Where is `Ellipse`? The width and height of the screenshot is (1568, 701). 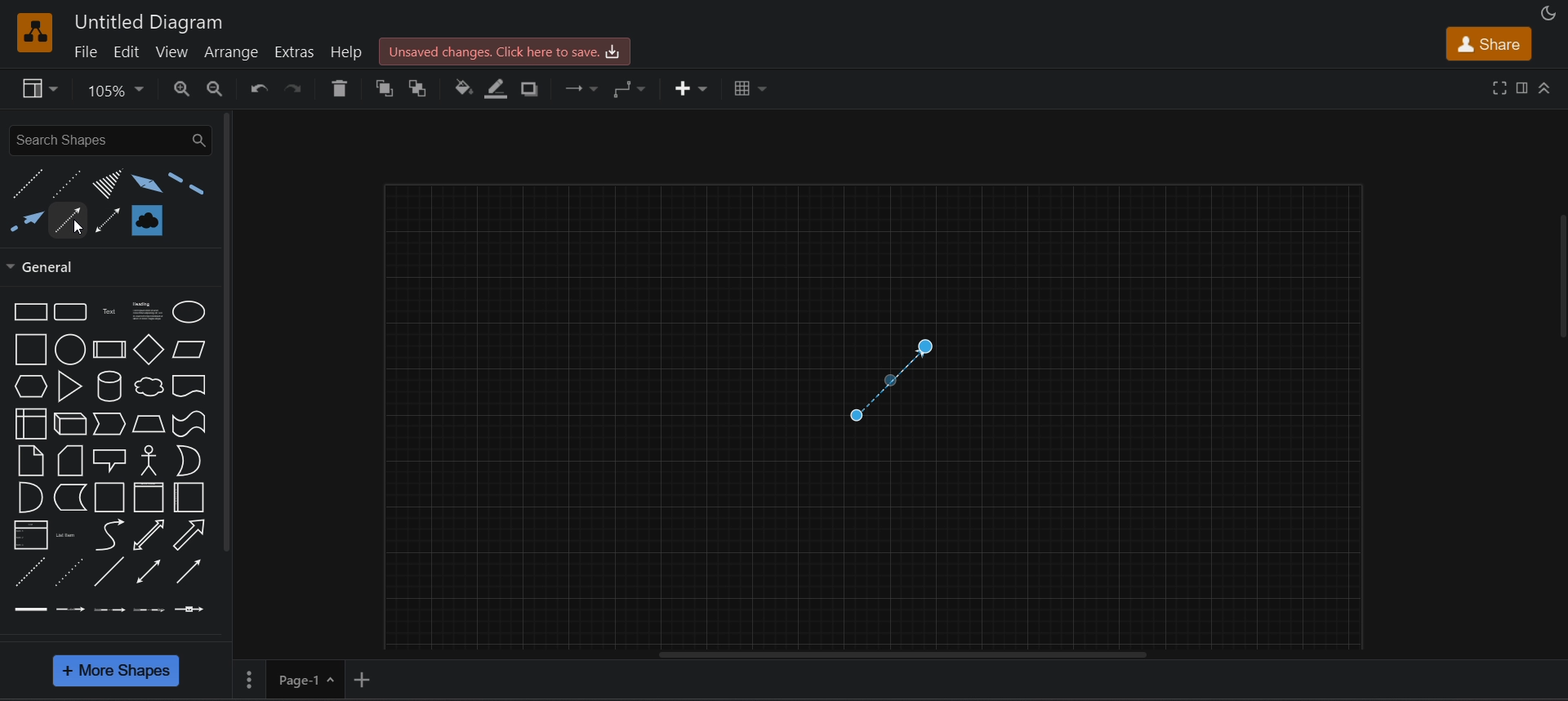 Ellipse is located at coordinates (189, 313).